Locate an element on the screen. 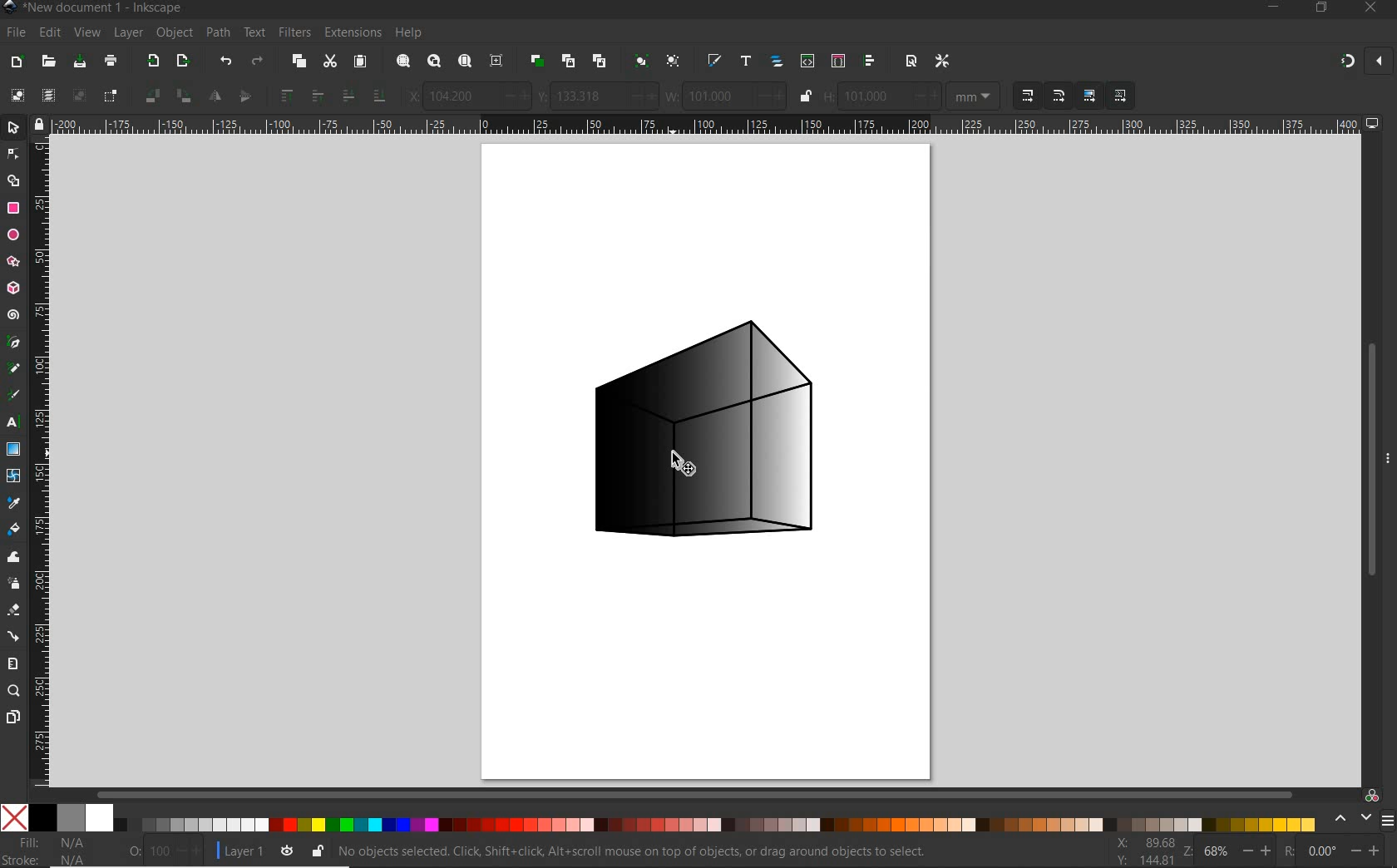 The height and width of the screenshot is (868, 1397). scroll color options is located at coordinates (1350, 820).